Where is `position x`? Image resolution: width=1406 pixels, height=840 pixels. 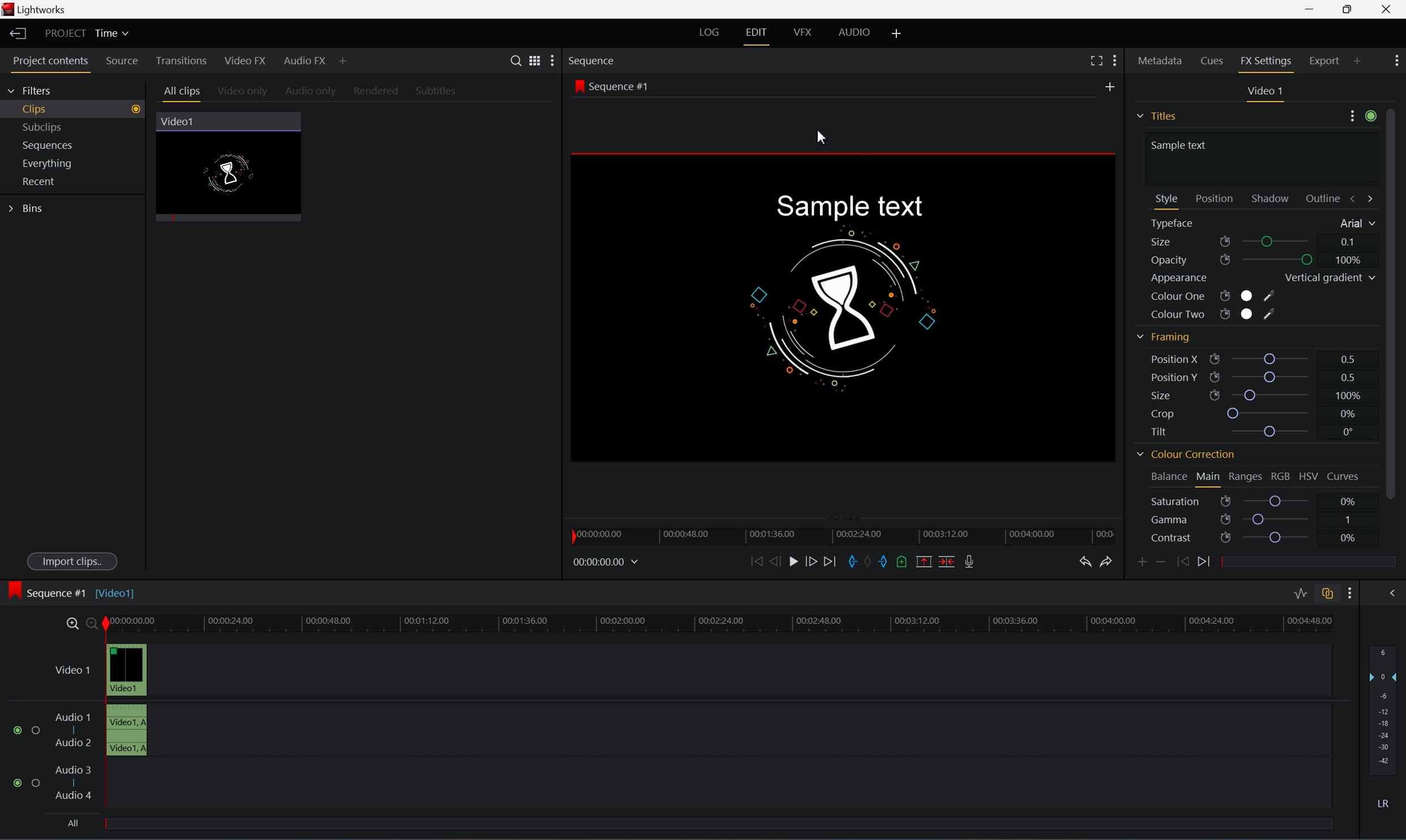
position x is located at coordinates (1186, 359).